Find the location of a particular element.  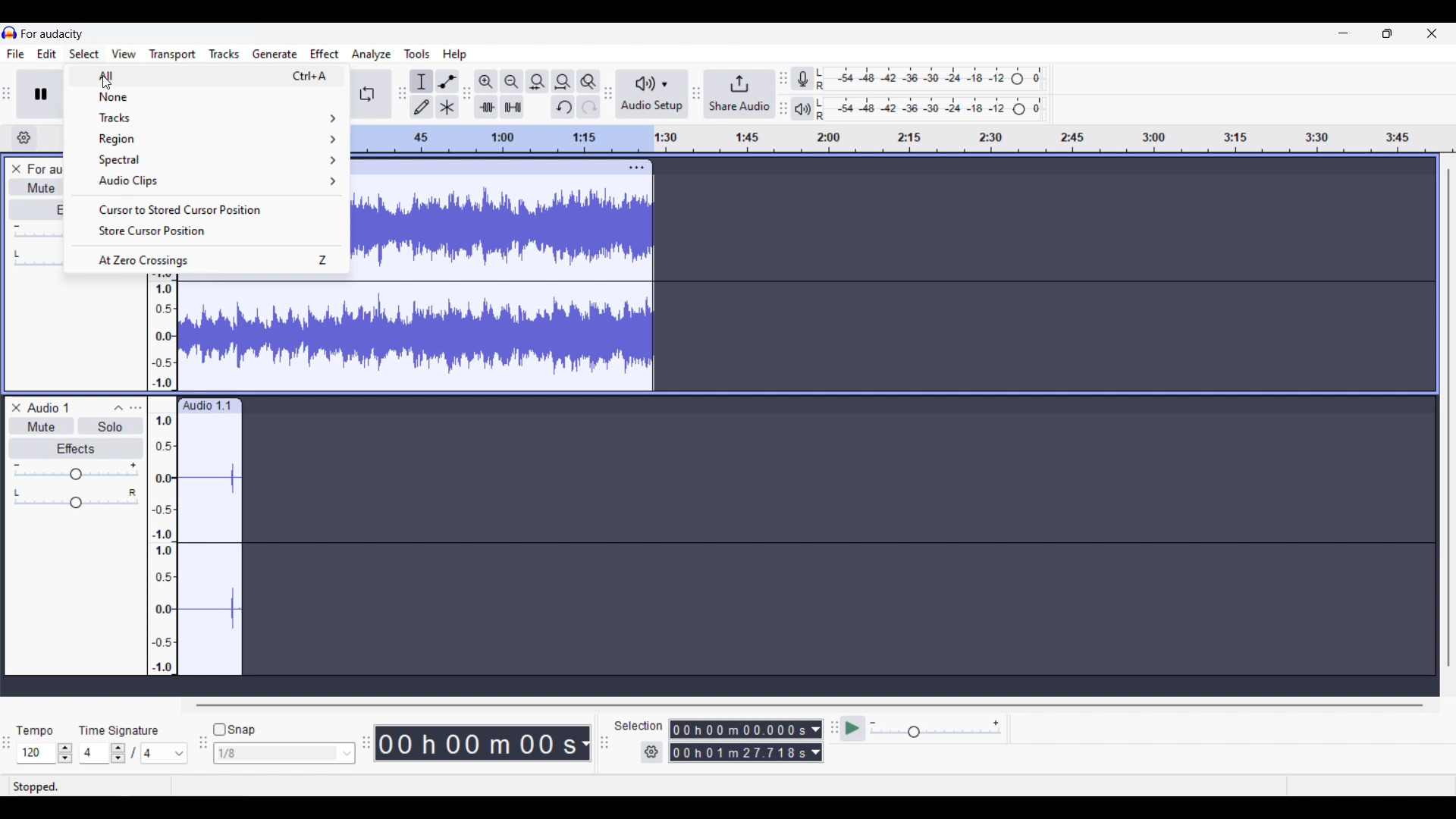

Region options is located at coordinates (208, 139).